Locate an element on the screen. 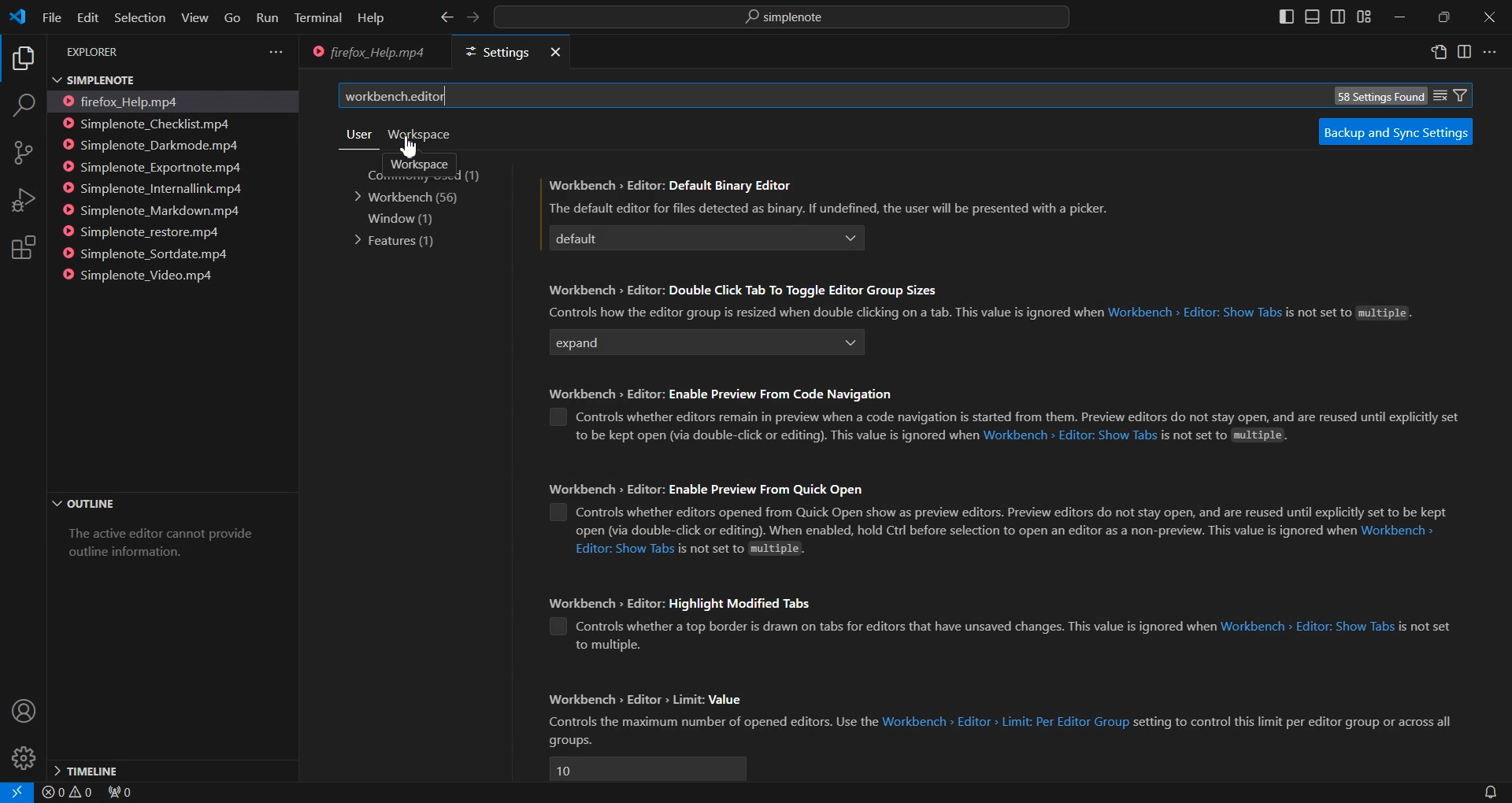 The height and width of the screenshot is (803, 1512). The active editor cannot provide
outline information. is located at coordinates (166, 549).